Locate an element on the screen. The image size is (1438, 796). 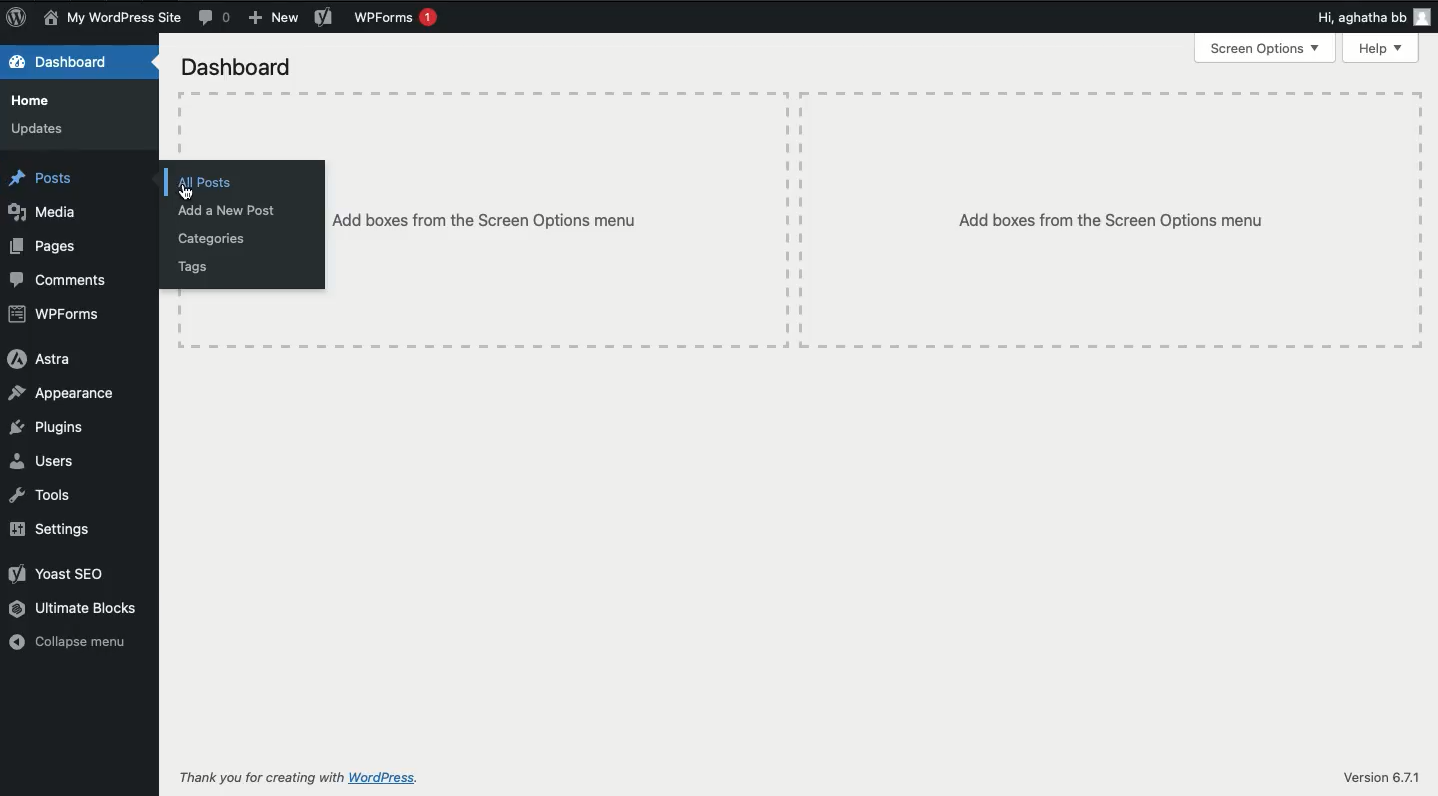
Add boxes from the screen options menu is located at coordinates (1114, 221).